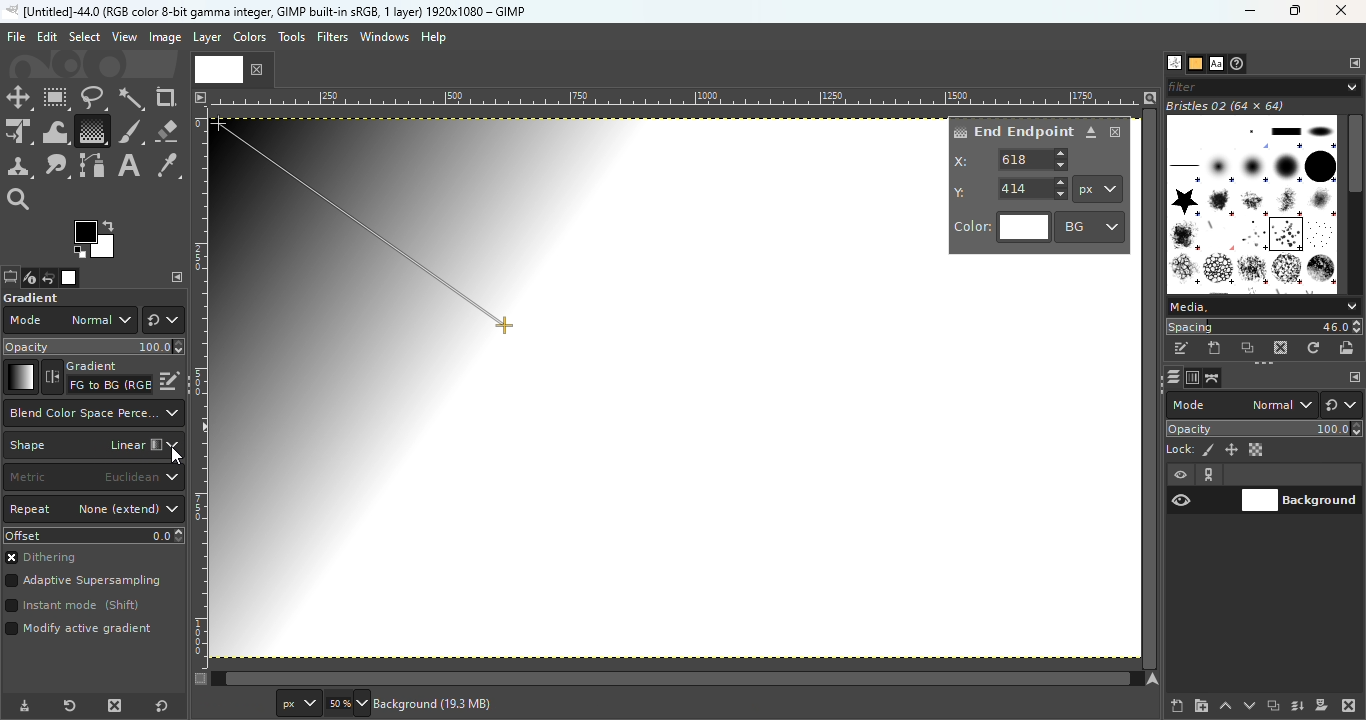 Image resolution: width=1366 pixels, height=720 pixels. I want to click on Save tool preset, so click(22, 707).